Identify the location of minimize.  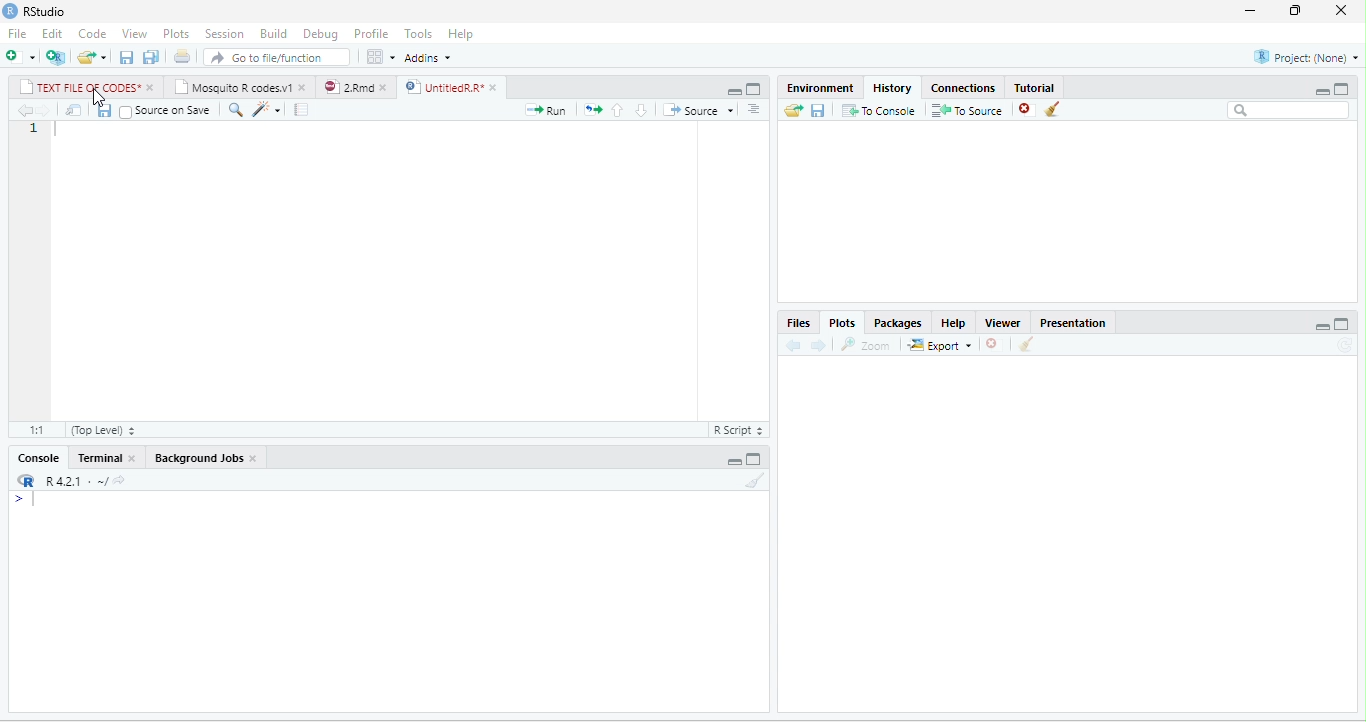
(1322, 326).